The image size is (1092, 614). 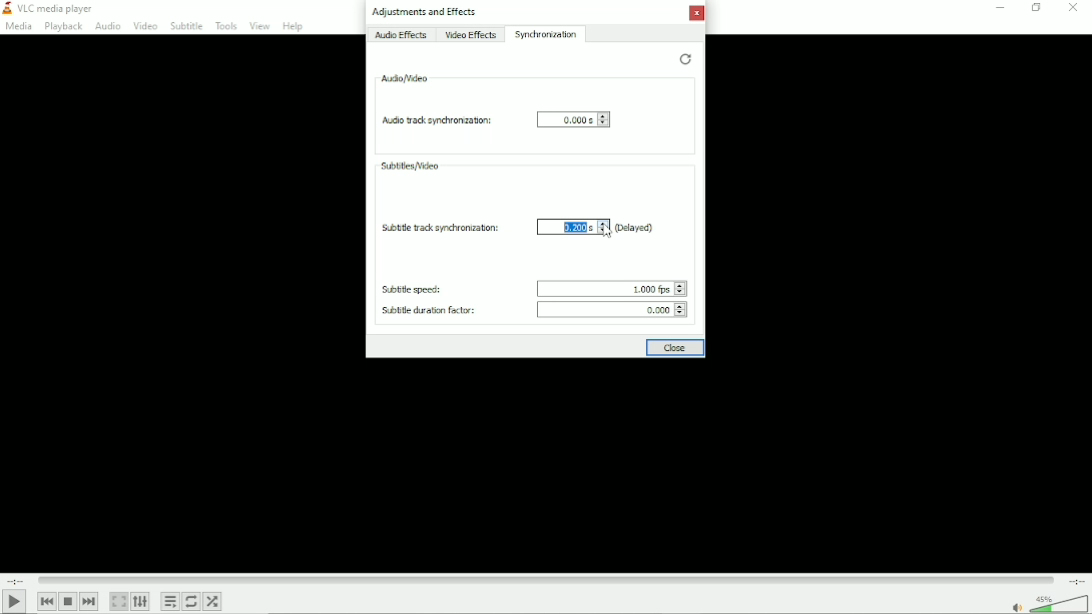 I want to click on View, so click(x=259, y=26).